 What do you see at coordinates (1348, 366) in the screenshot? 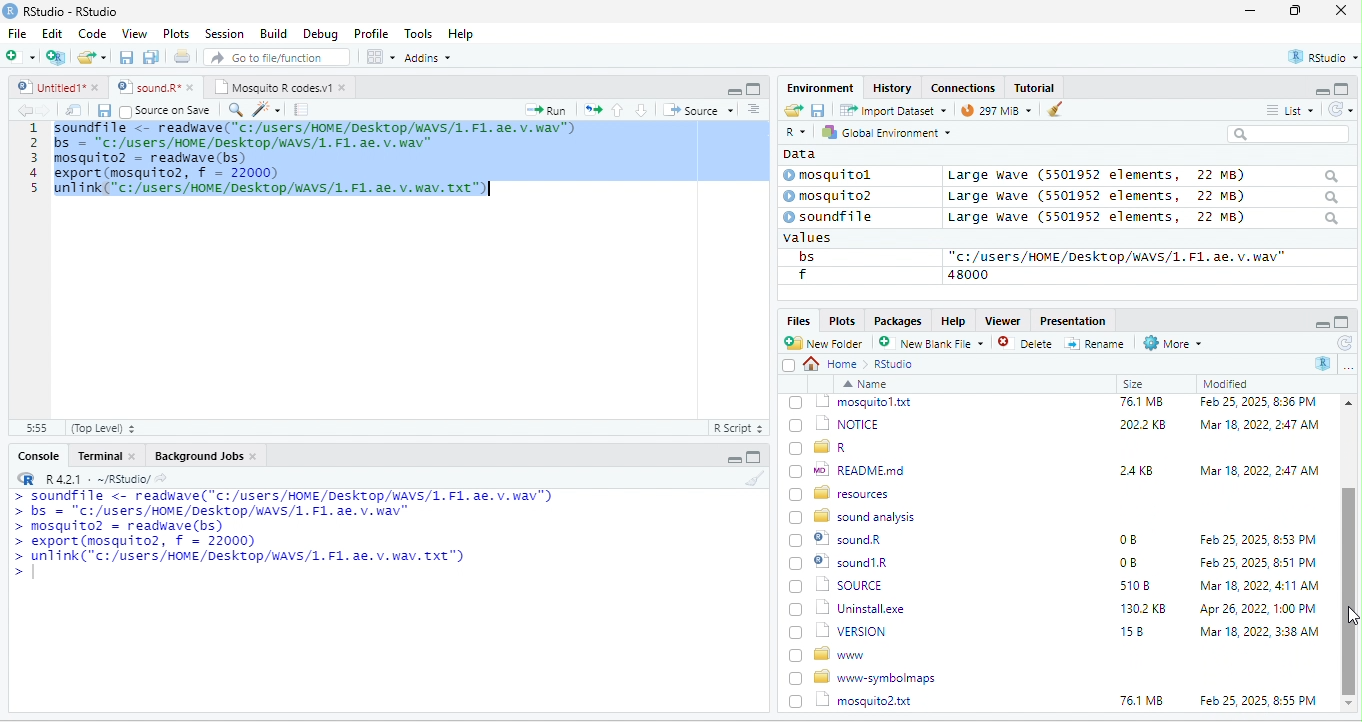
I see `more` at bounding box center [1348, 366].